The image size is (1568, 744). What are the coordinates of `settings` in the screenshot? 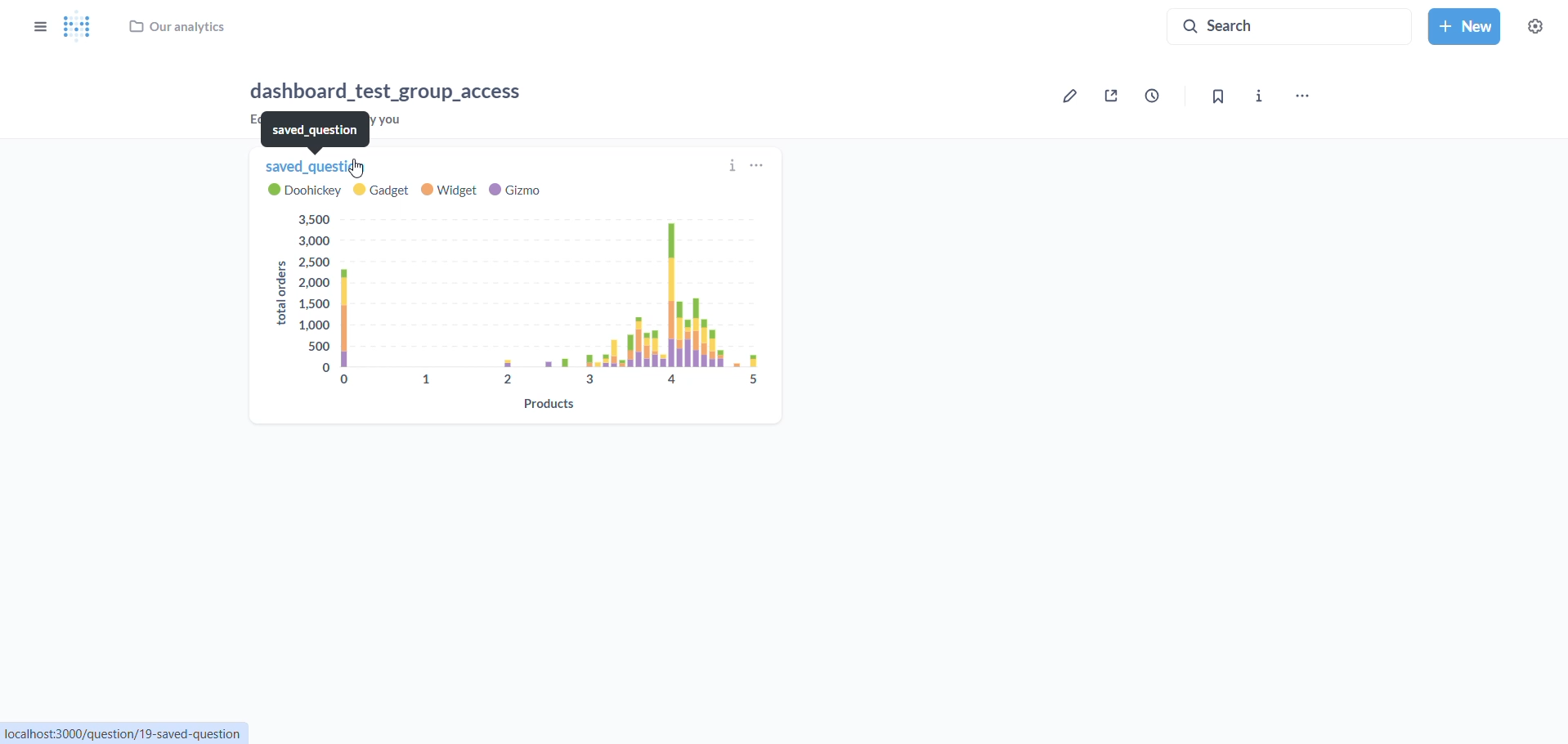 It's located at (1536, 26).